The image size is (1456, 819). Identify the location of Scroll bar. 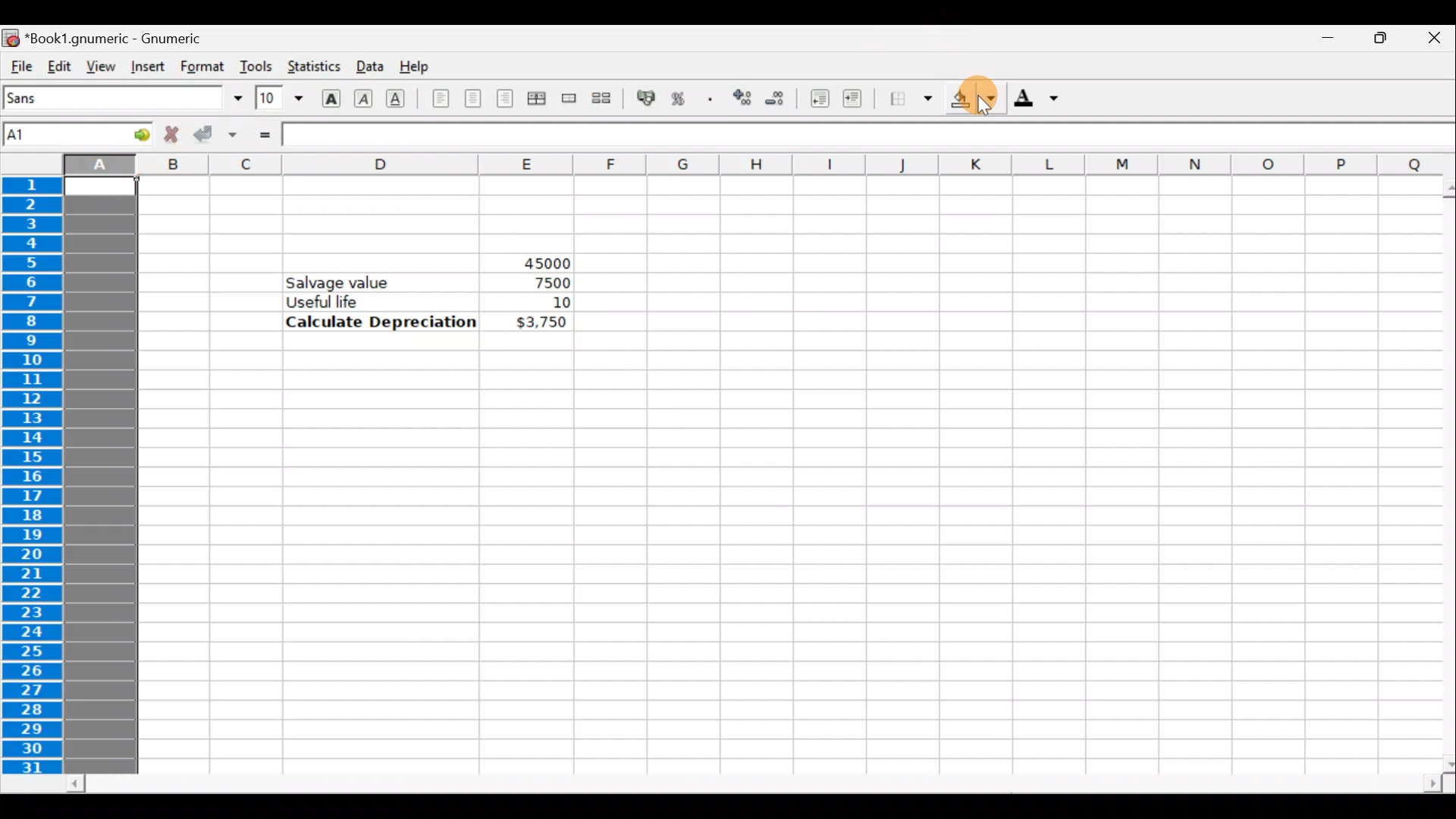
(1438, 475).